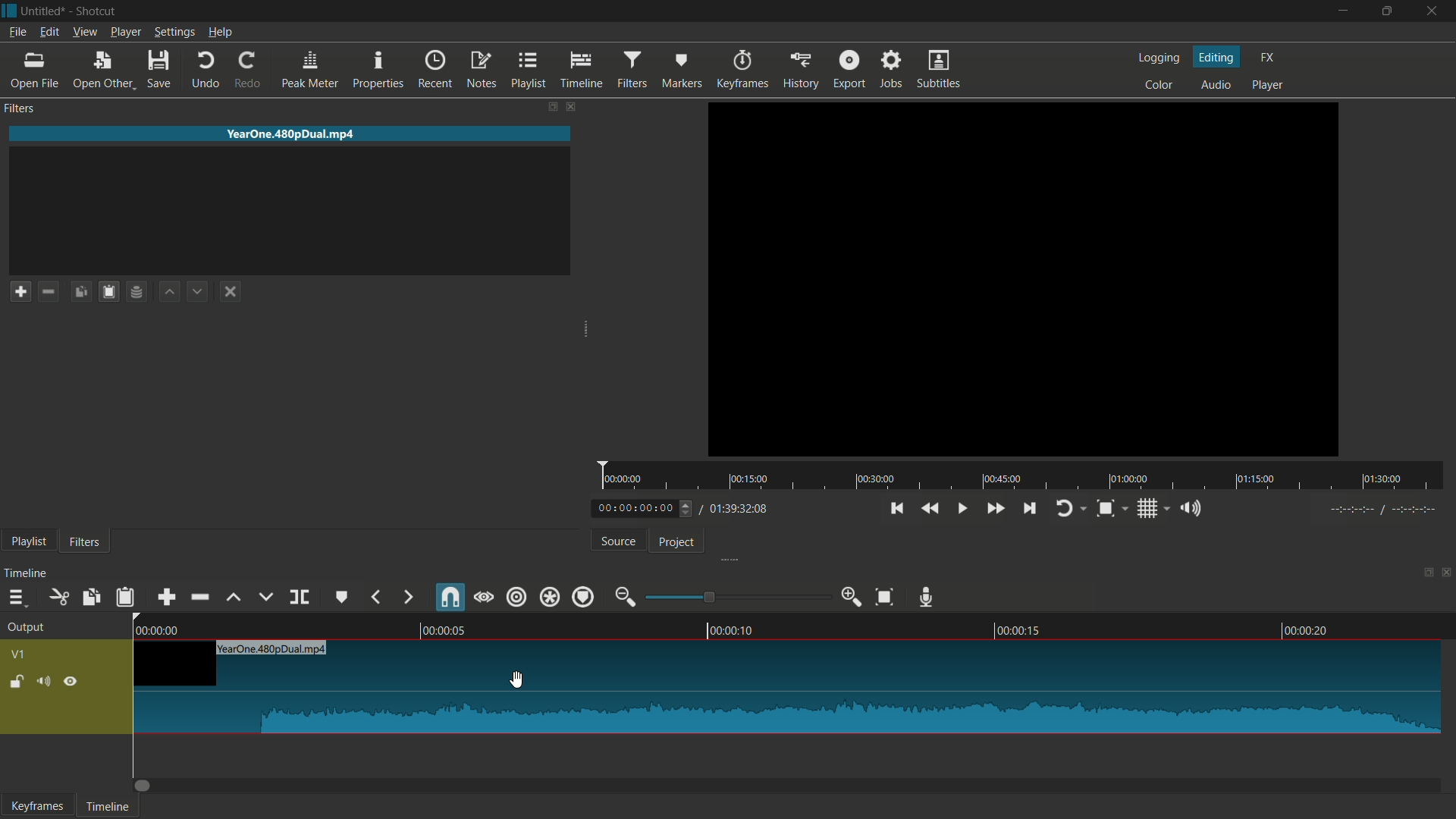 This screenshot has width=1456, height=819. I want to click on minimize, so click(1344, 11).